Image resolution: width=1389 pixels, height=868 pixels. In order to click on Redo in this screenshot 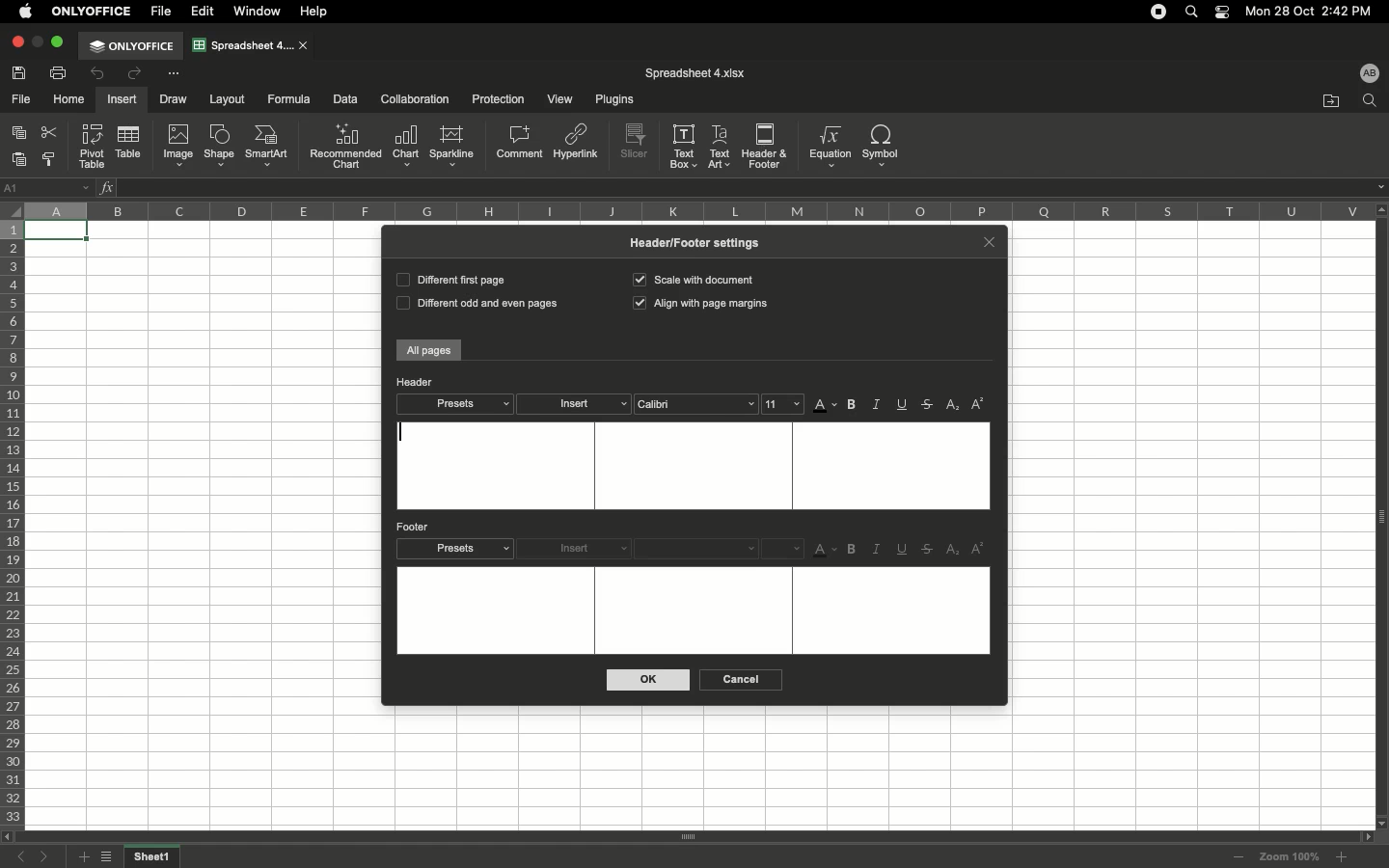, I will do `click(133, 73)`.